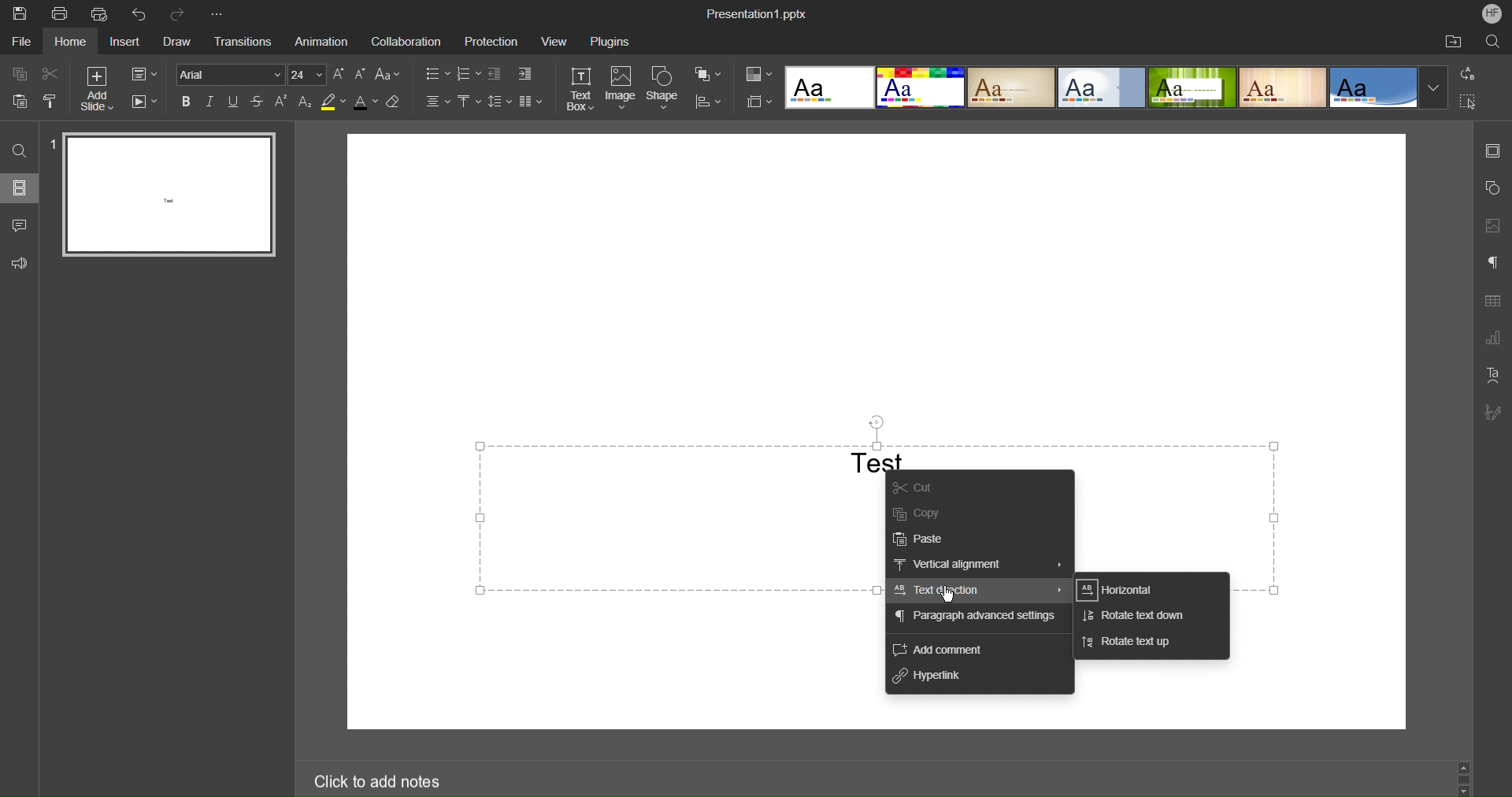  I want to click on Slide Settings, so click(1493, 153).